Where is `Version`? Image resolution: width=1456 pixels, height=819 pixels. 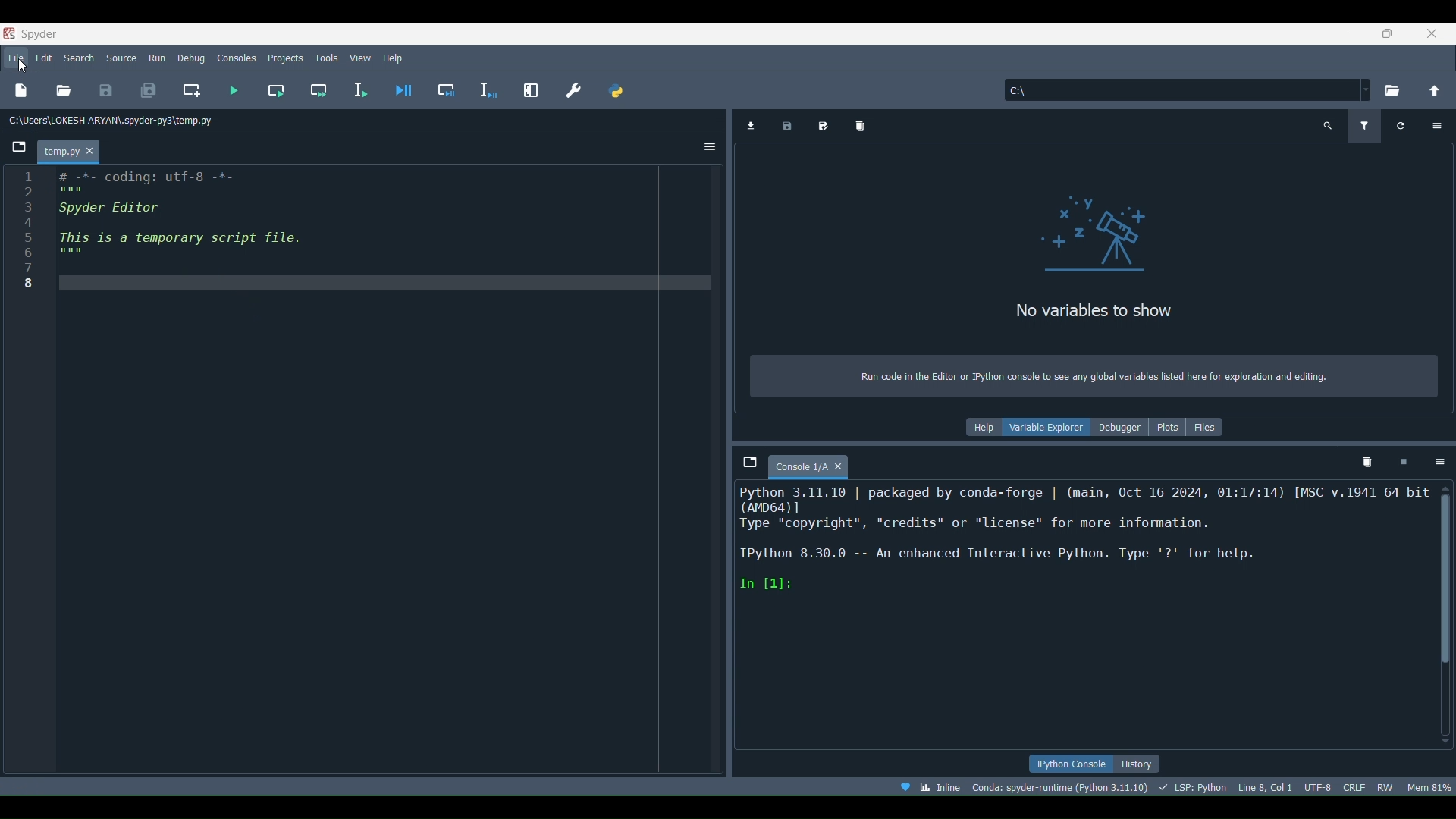
Version is located at coordinates (1064, 786).